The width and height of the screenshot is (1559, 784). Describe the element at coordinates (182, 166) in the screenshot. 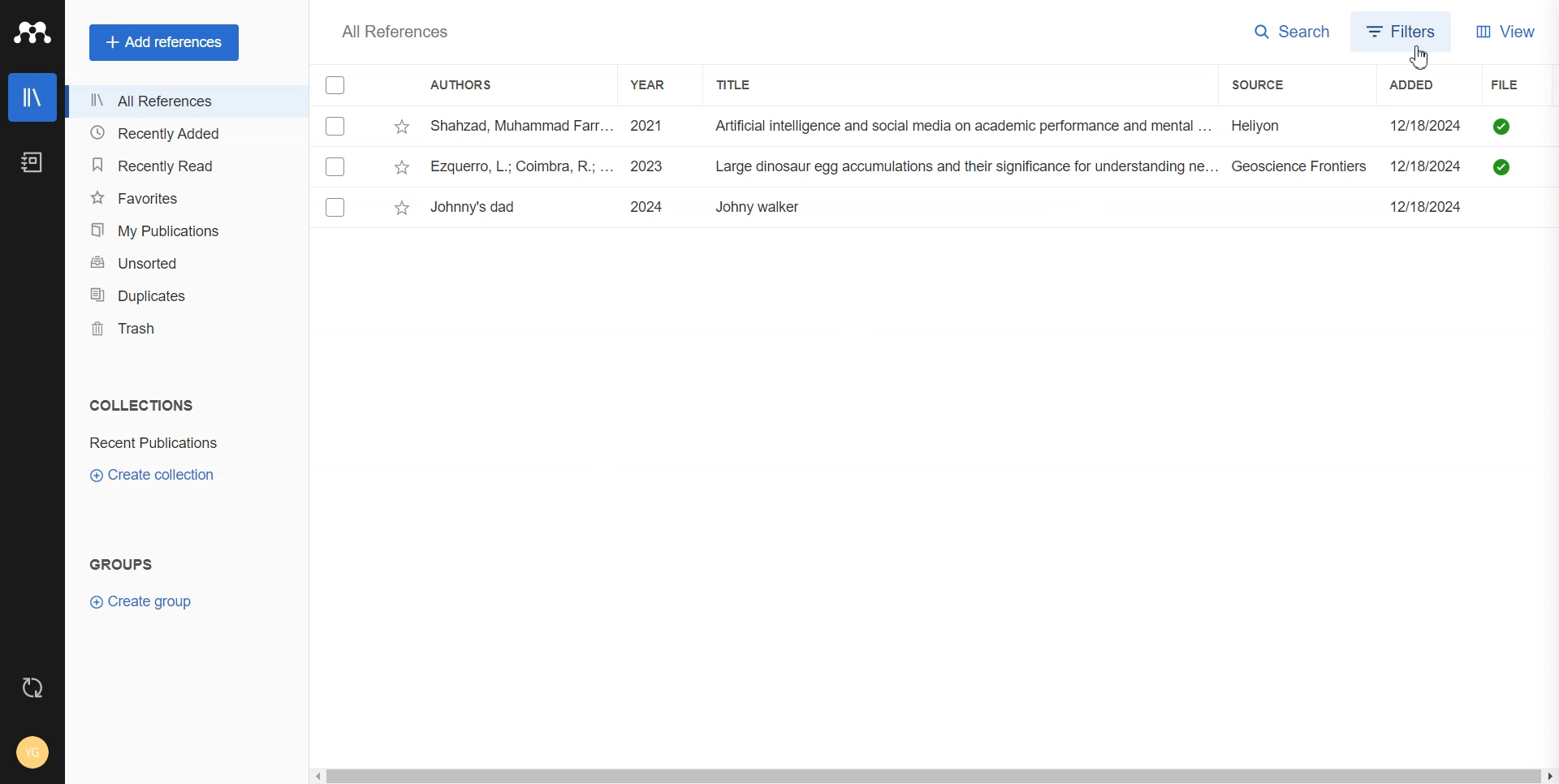

I see `Recently Read` at that location.